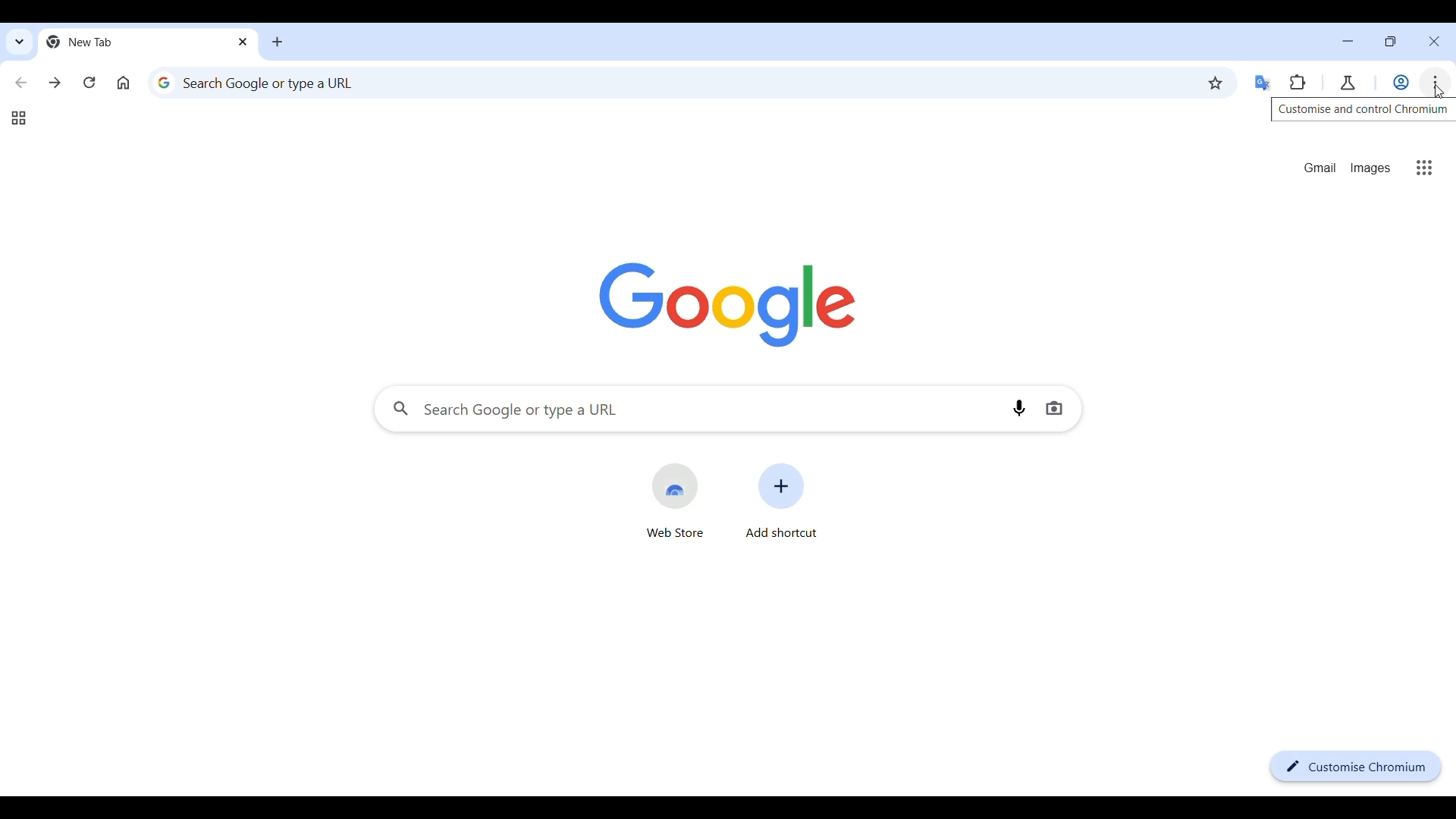 The width and height of the screenshot is (1456, 819). Describe the element at coordinates (124, 83) in the screenshot. I see `Click to go to homepage` at that location.